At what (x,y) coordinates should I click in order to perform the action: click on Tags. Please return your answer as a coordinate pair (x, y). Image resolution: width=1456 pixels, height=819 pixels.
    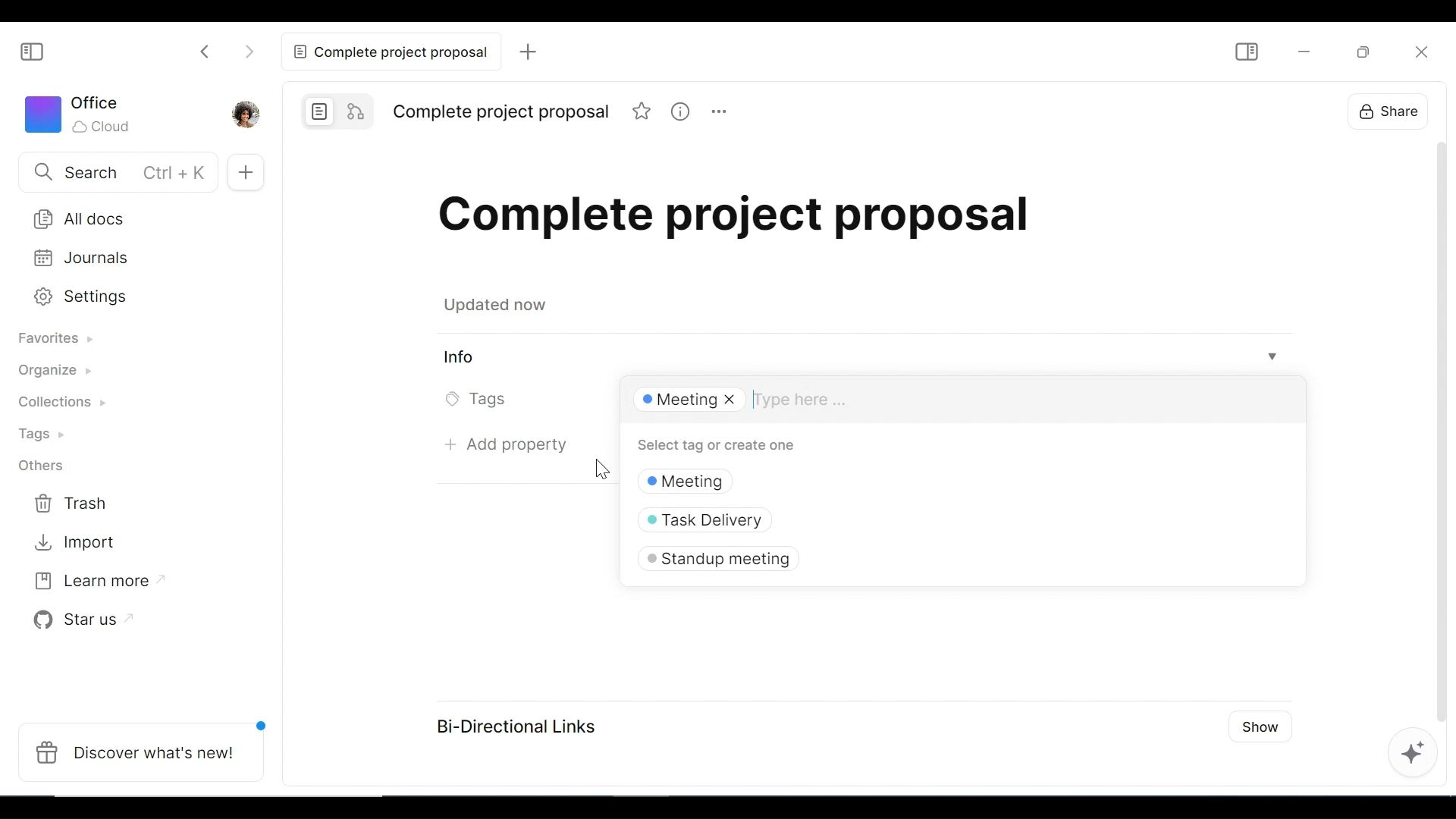
    Looking at the image, I should click on (482, 398).